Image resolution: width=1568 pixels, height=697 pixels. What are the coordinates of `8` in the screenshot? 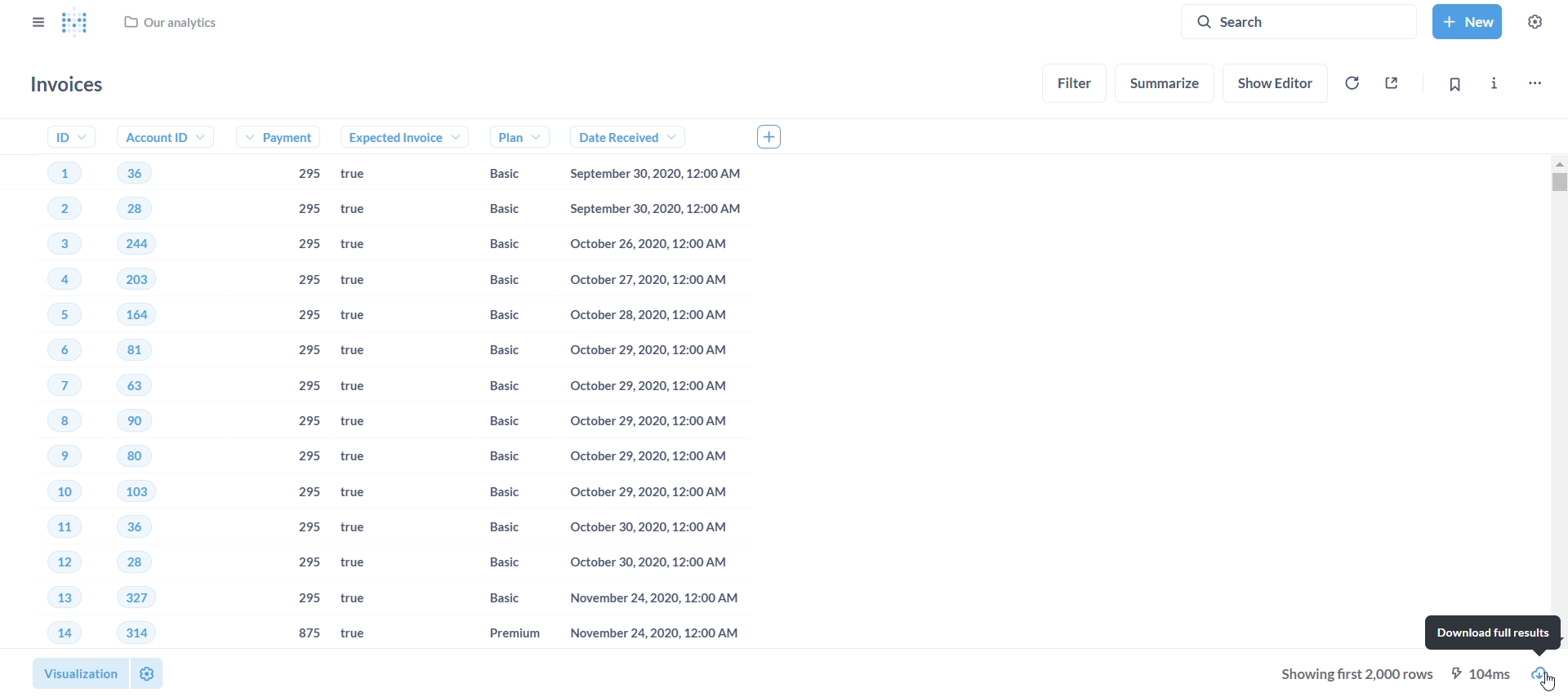 It's located at (42, 422).